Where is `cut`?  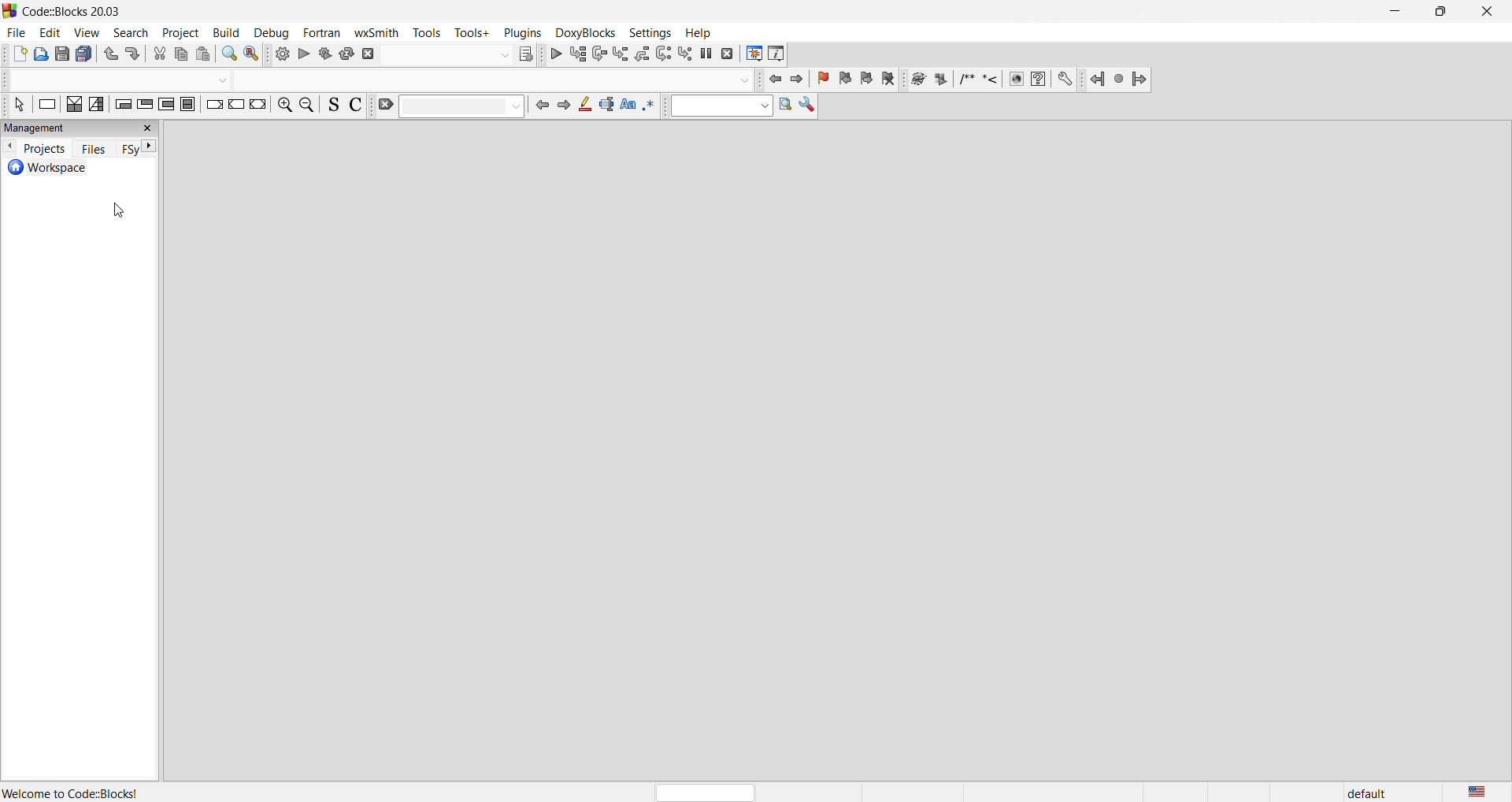
cut is located at coordinates (159, 54).